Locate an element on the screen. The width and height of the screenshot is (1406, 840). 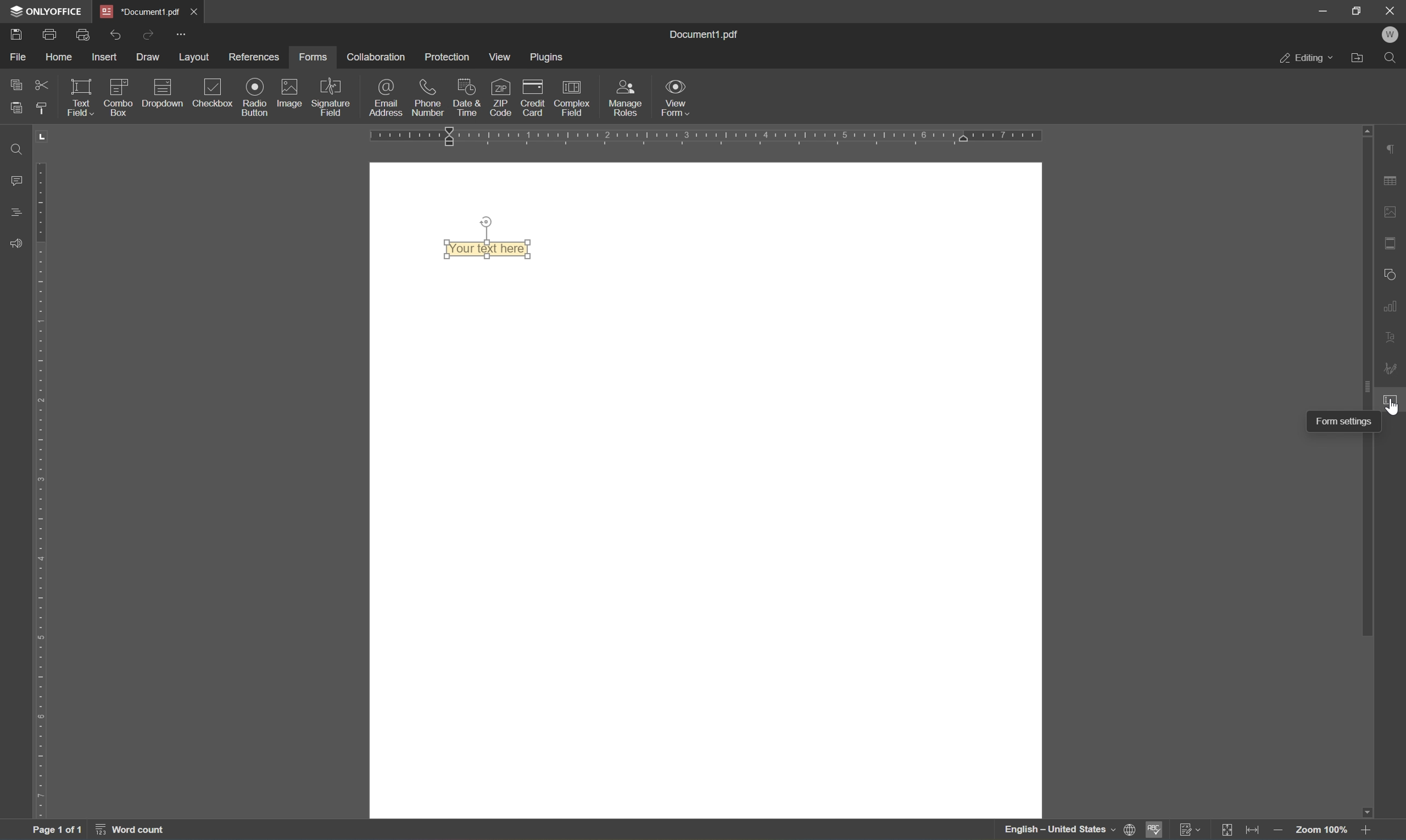
print is located at coordinates (49, 34).